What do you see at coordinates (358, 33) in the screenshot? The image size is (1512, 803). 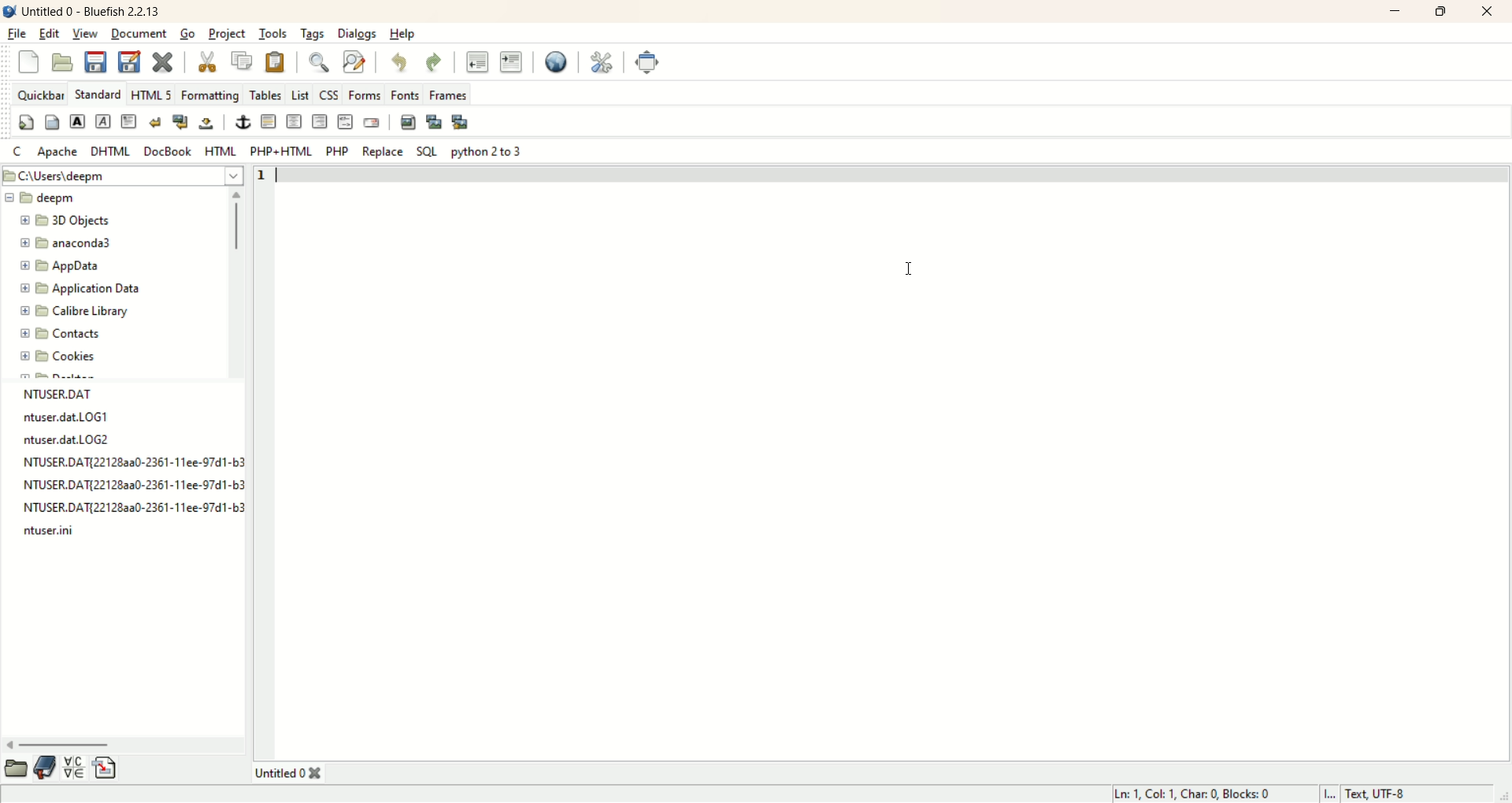 I see `dialogs` at bounding box center [358, 33].